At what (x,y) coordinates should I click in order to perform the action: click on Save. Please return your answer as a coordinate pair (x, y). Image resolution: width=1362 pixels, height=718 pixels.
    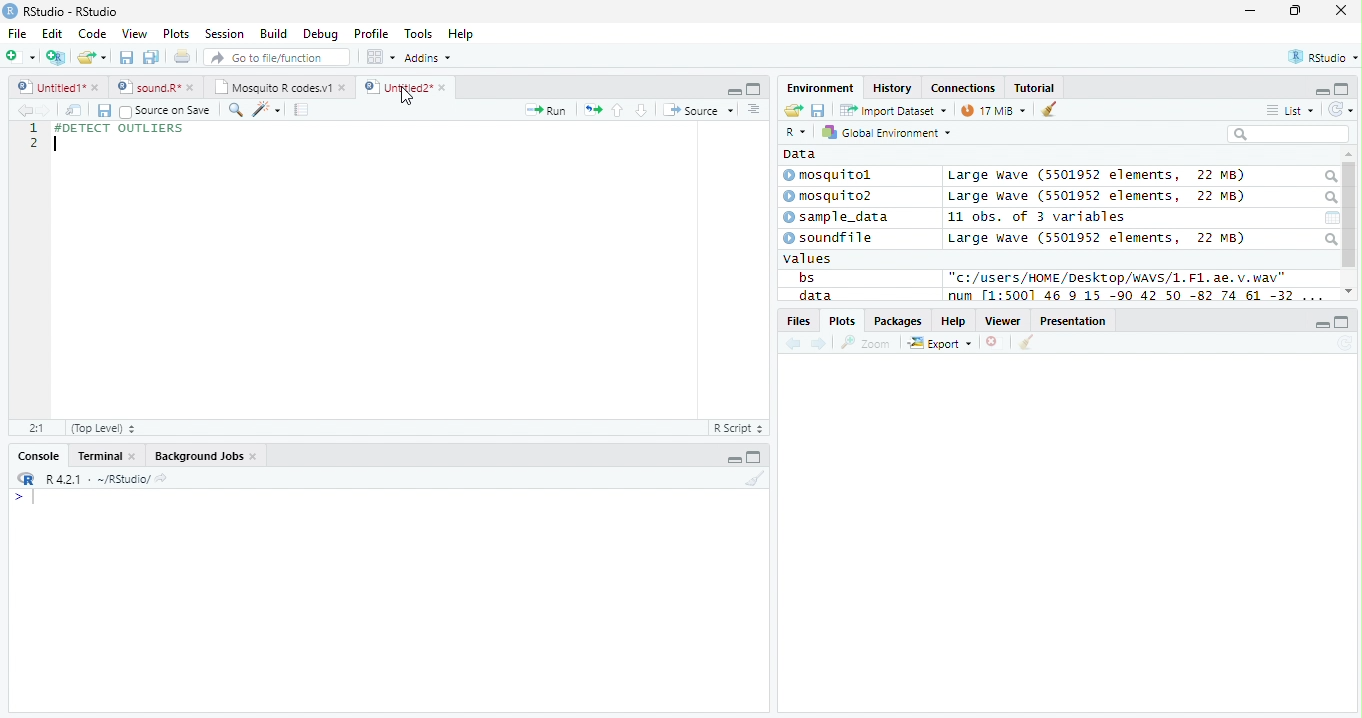
    Looking at the image, I should click on (818, 110).